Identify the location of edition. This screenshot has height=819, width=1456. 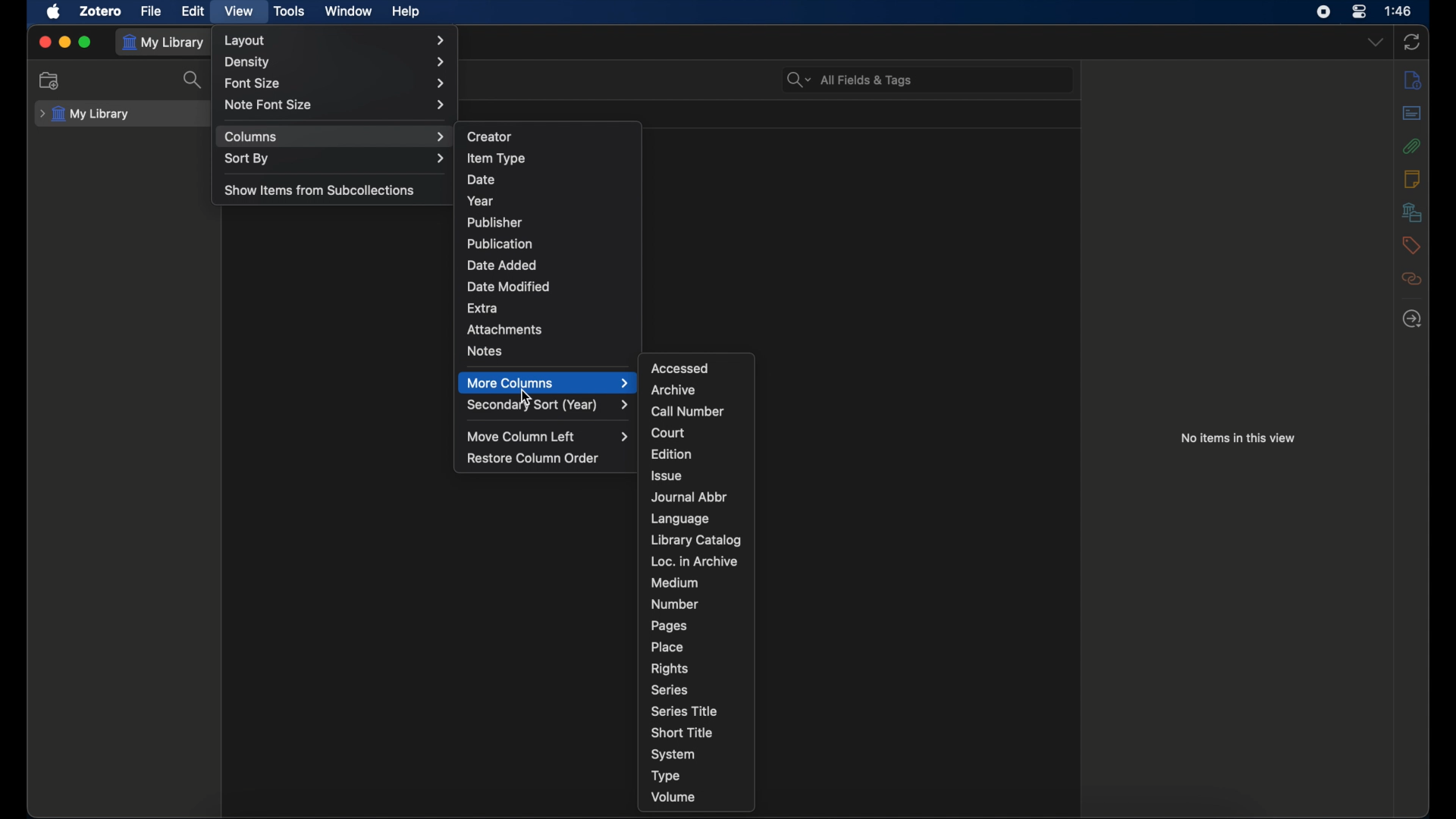
(670, 453).